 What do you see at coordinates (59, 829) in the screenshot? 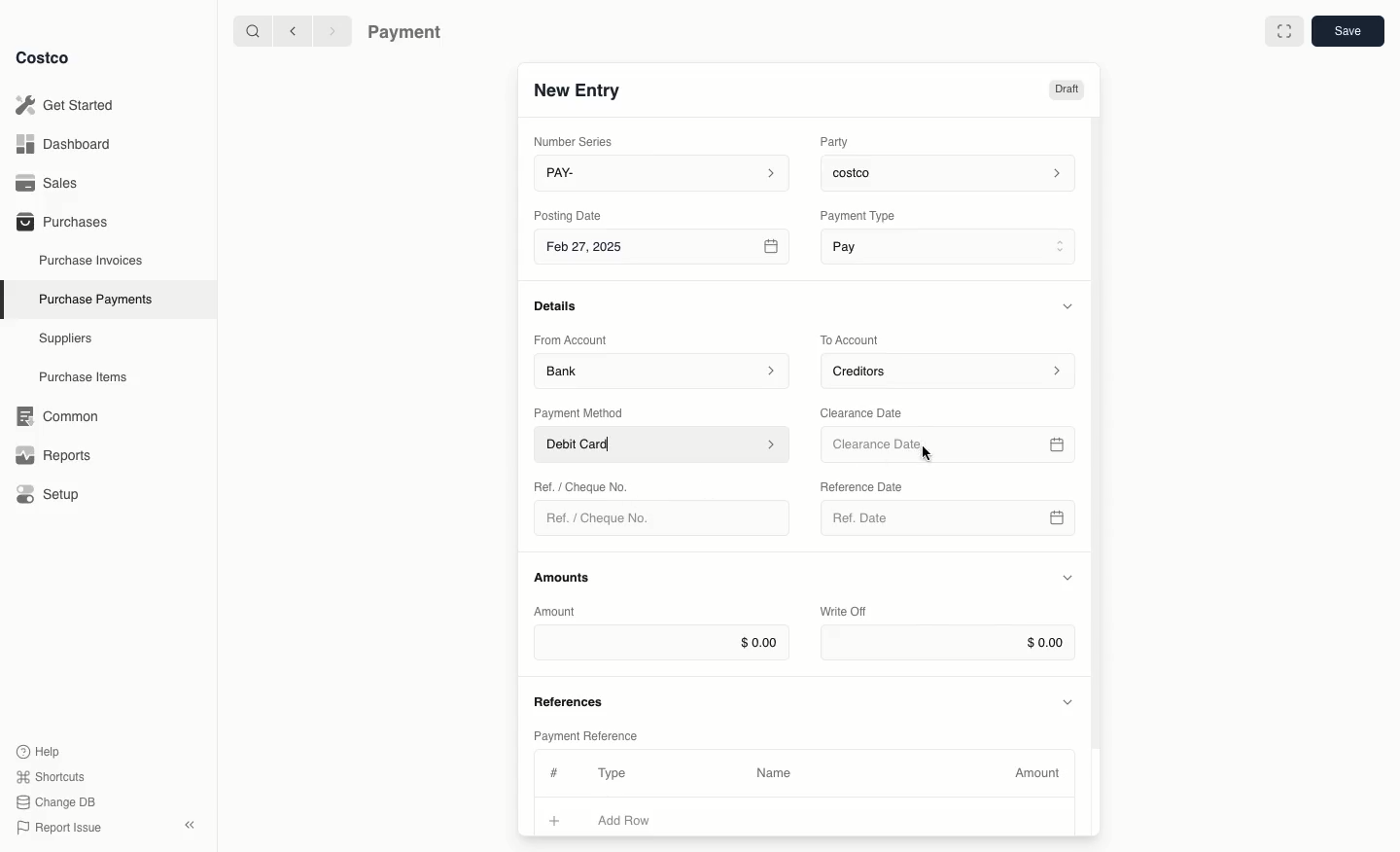
I see `Report Issue` at bounding box center [59, 829].